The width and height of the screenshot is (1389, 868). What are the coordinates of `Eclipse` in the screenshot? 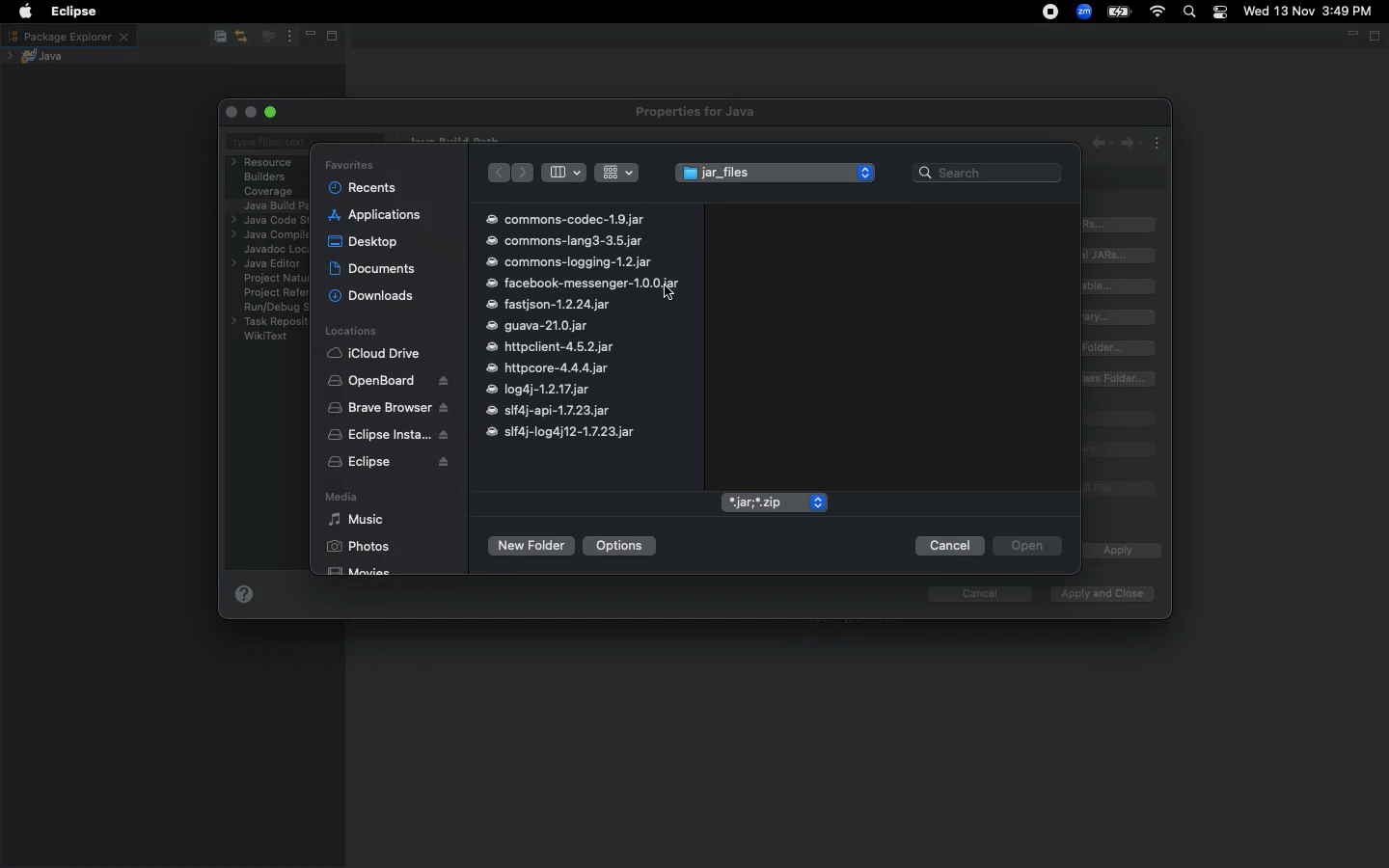 It's located at (389, 464).